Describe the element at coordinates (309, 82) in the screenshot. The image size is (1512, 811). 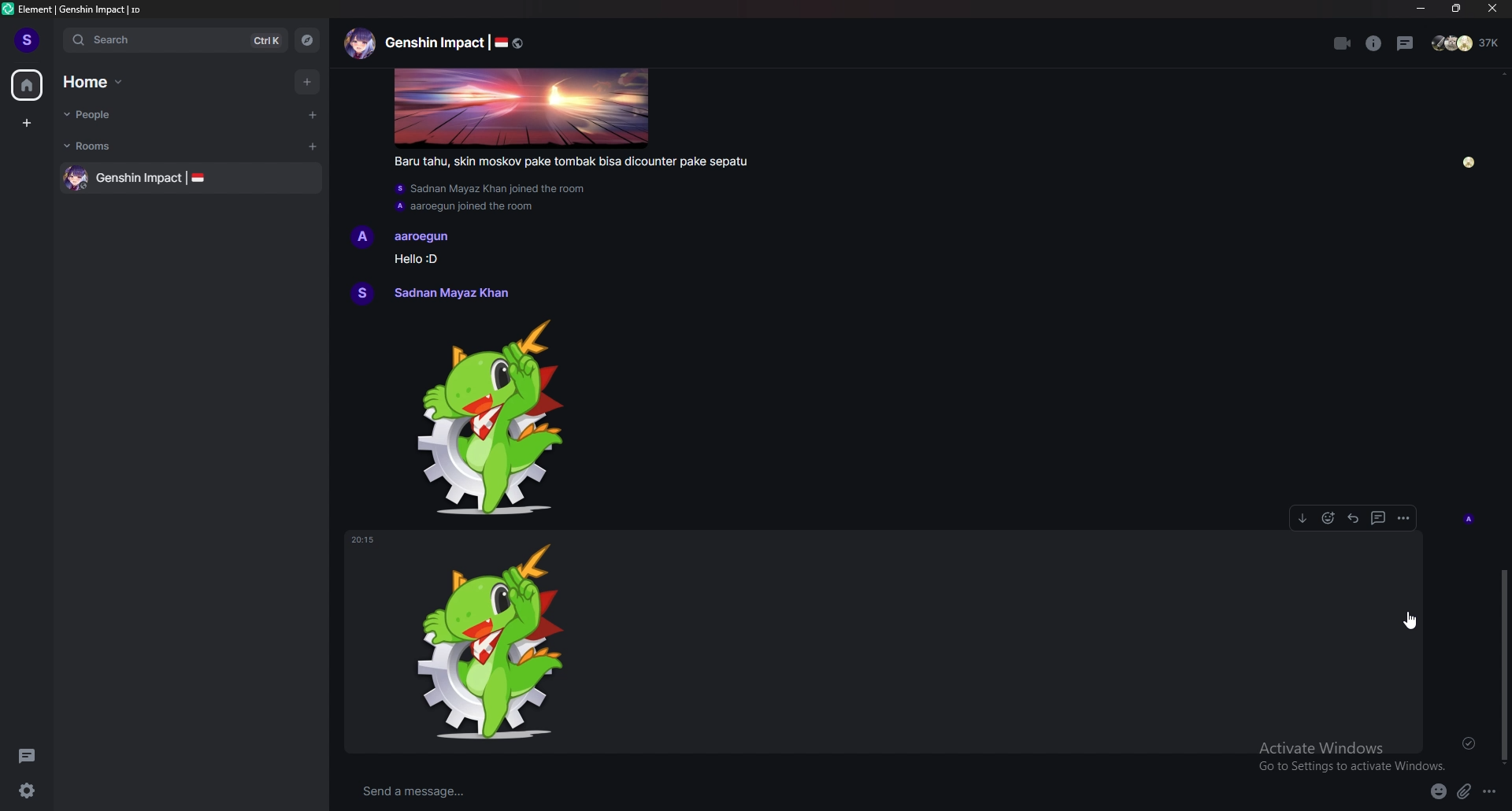
I see `add` at that location.